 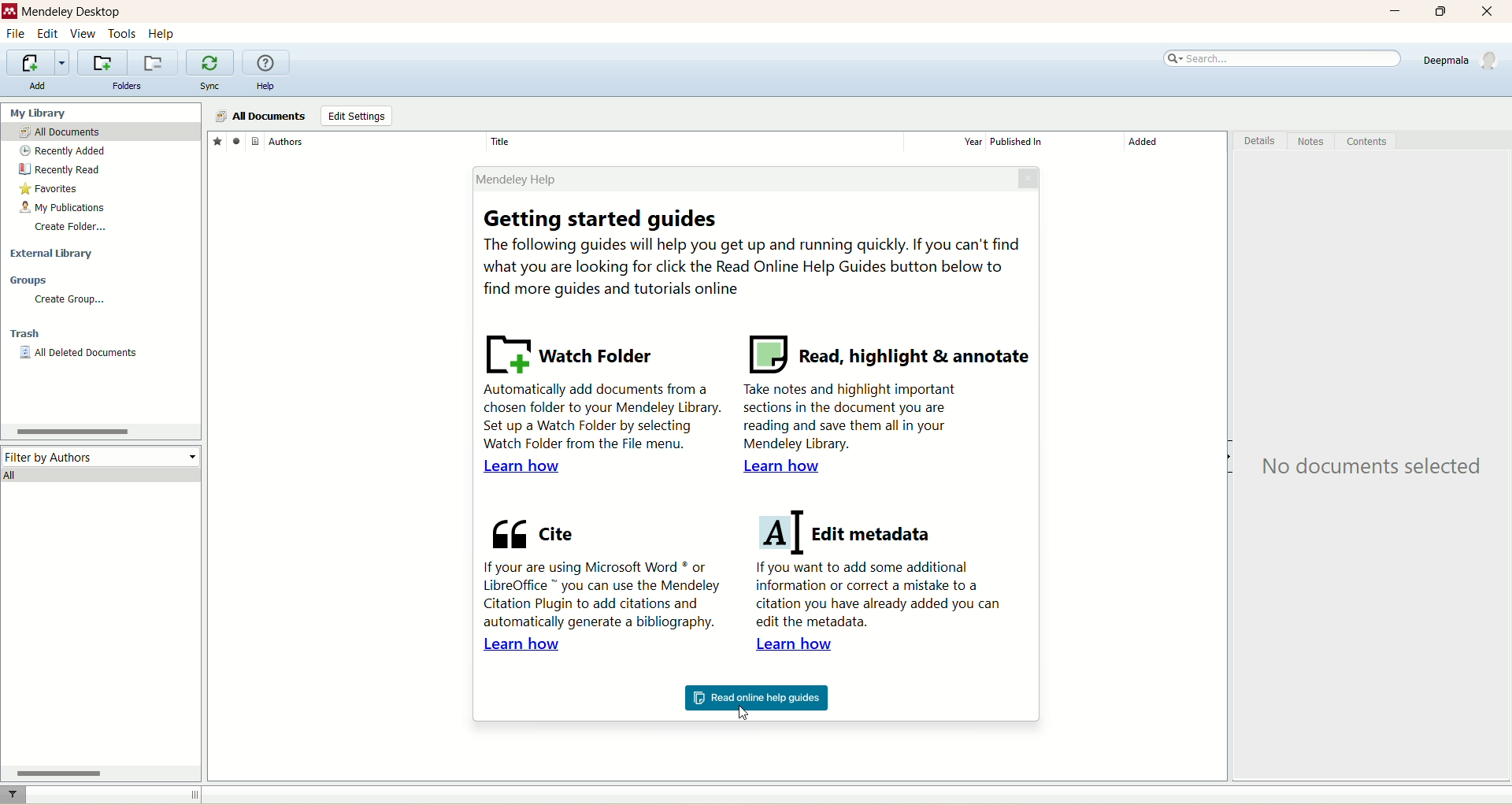 What do you see at coordinates (72, 228) in the screenshot?
I see `create folder` at bounding box center [72, 228].